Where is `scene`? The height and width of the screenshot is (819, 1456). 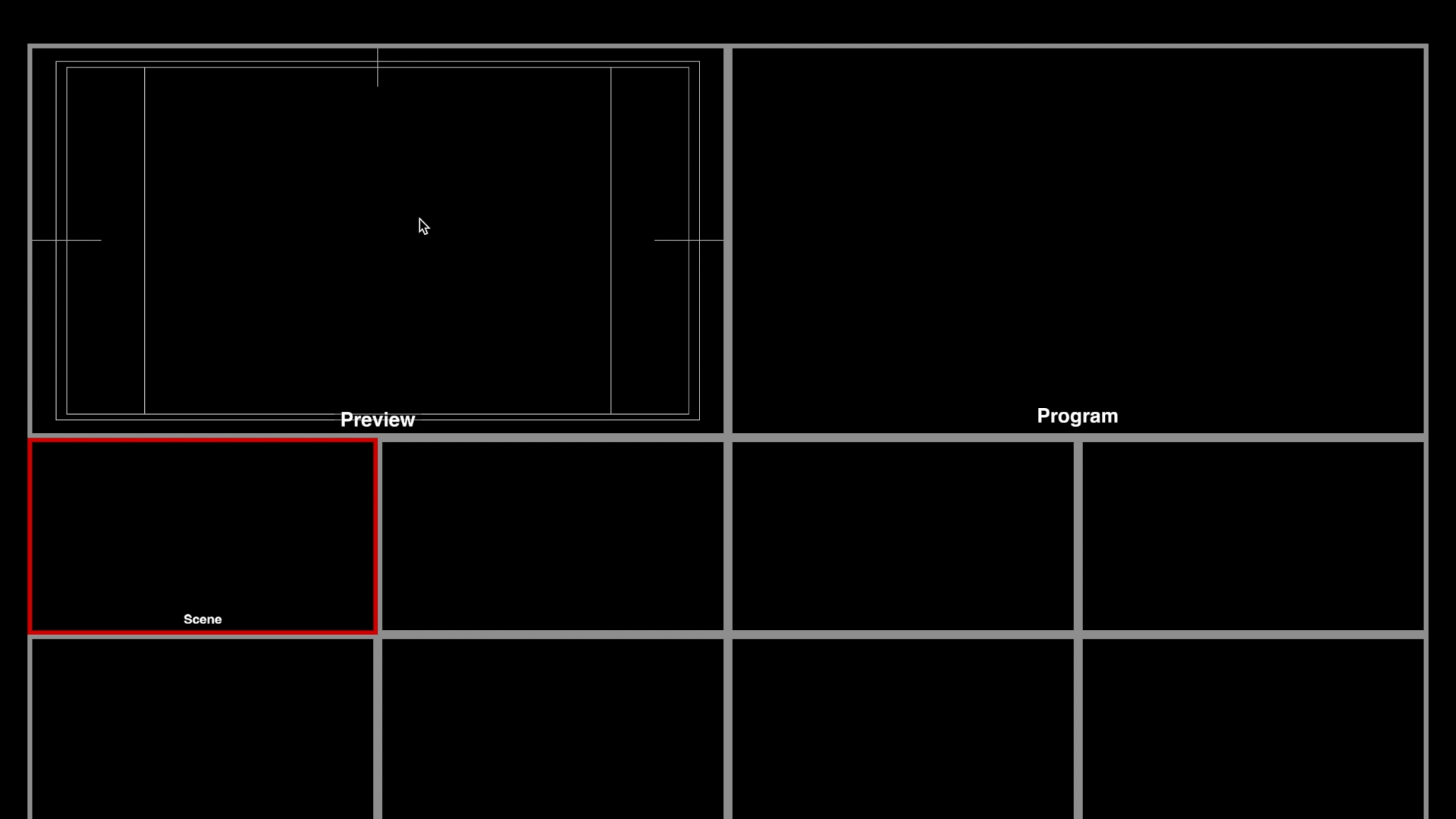 scene is located at coordinates (205, 620).